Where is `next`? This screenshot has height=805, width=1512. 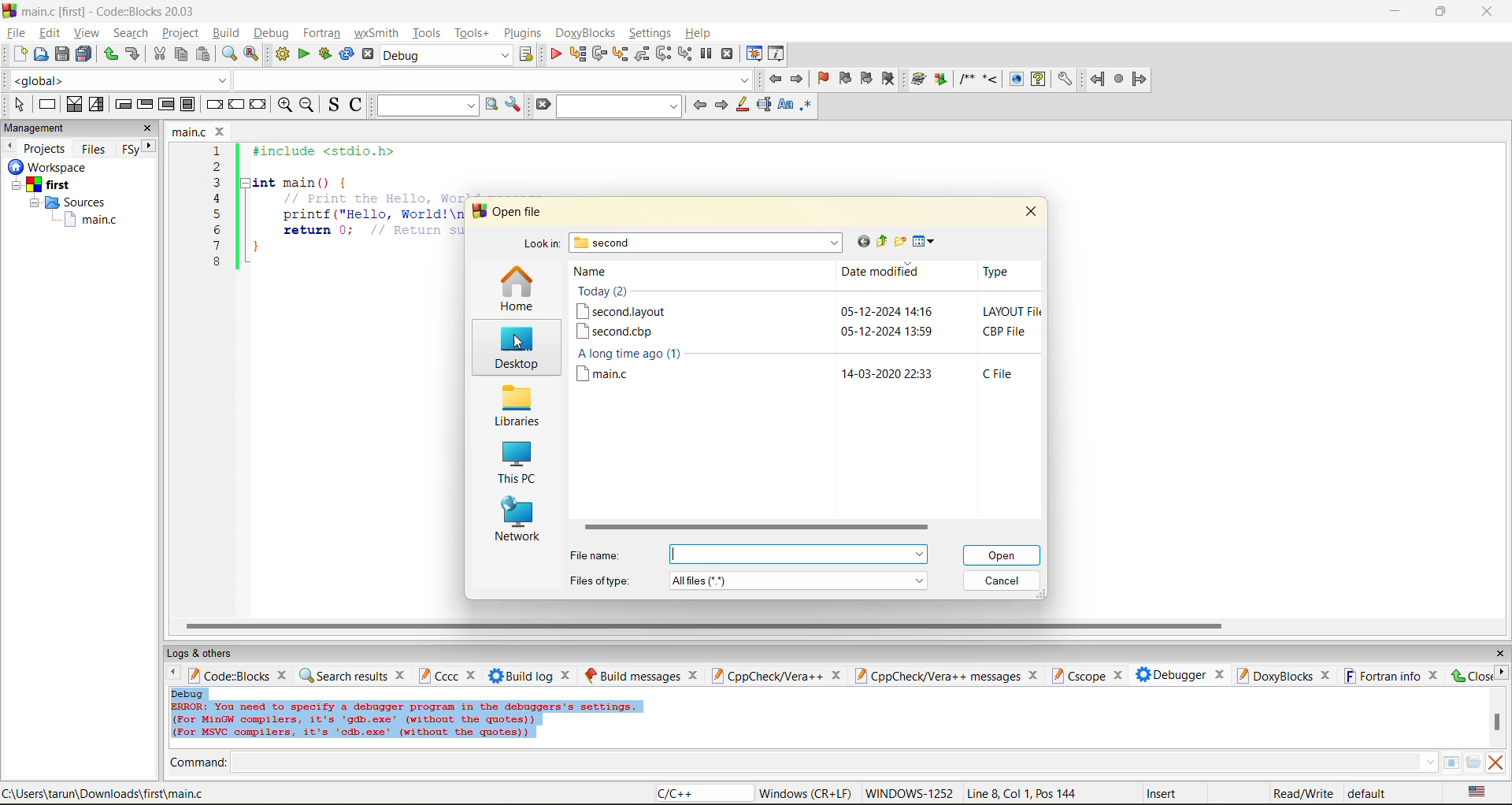 next is located at coordinates (1501, 672).